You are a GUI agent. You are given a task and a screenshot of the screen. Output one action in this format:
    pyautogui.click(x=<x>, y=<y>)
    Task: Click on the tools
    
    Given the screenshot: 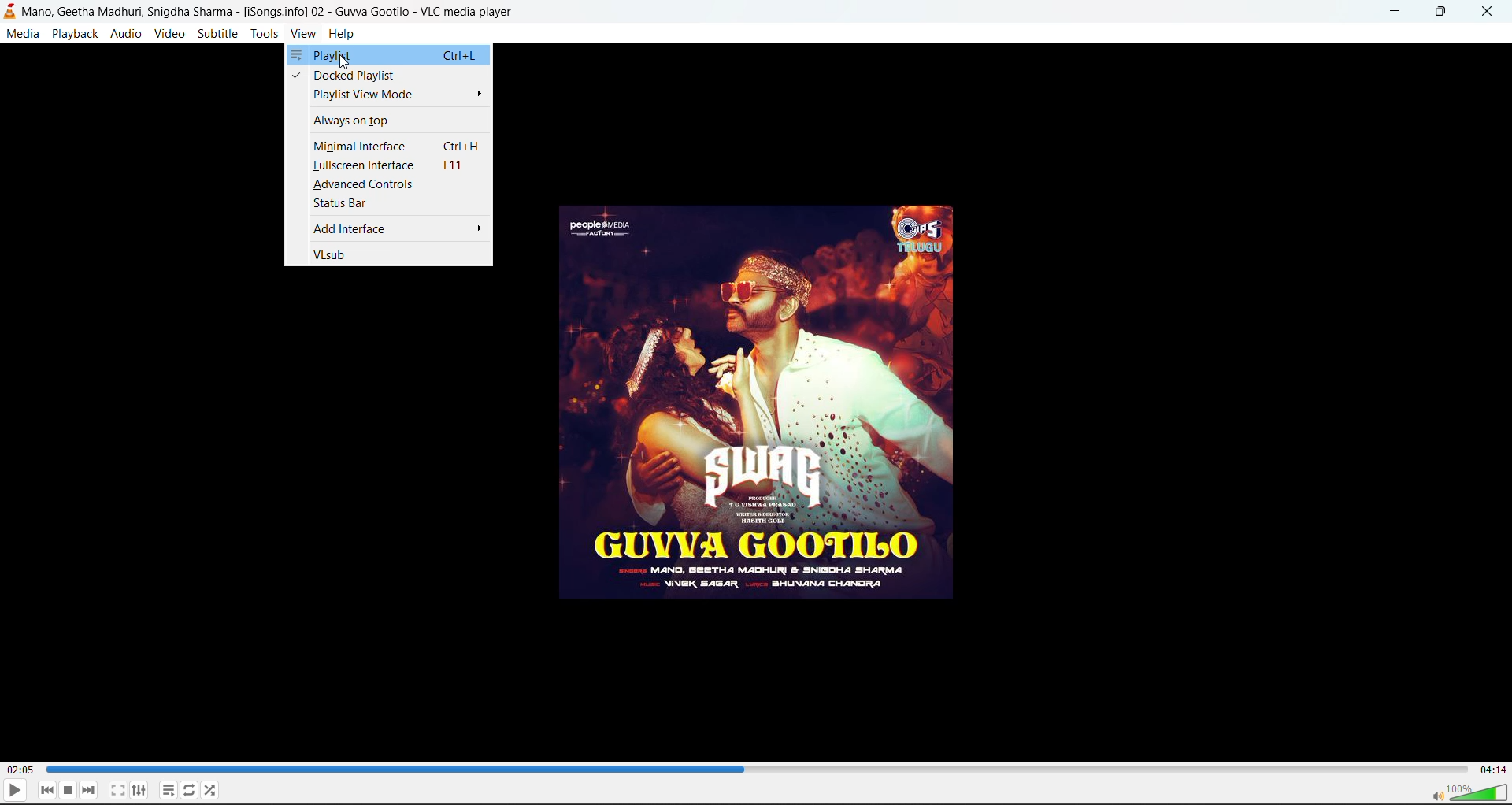 What is the action you would take?
    pyautogui.click(x=265, y=33)
    